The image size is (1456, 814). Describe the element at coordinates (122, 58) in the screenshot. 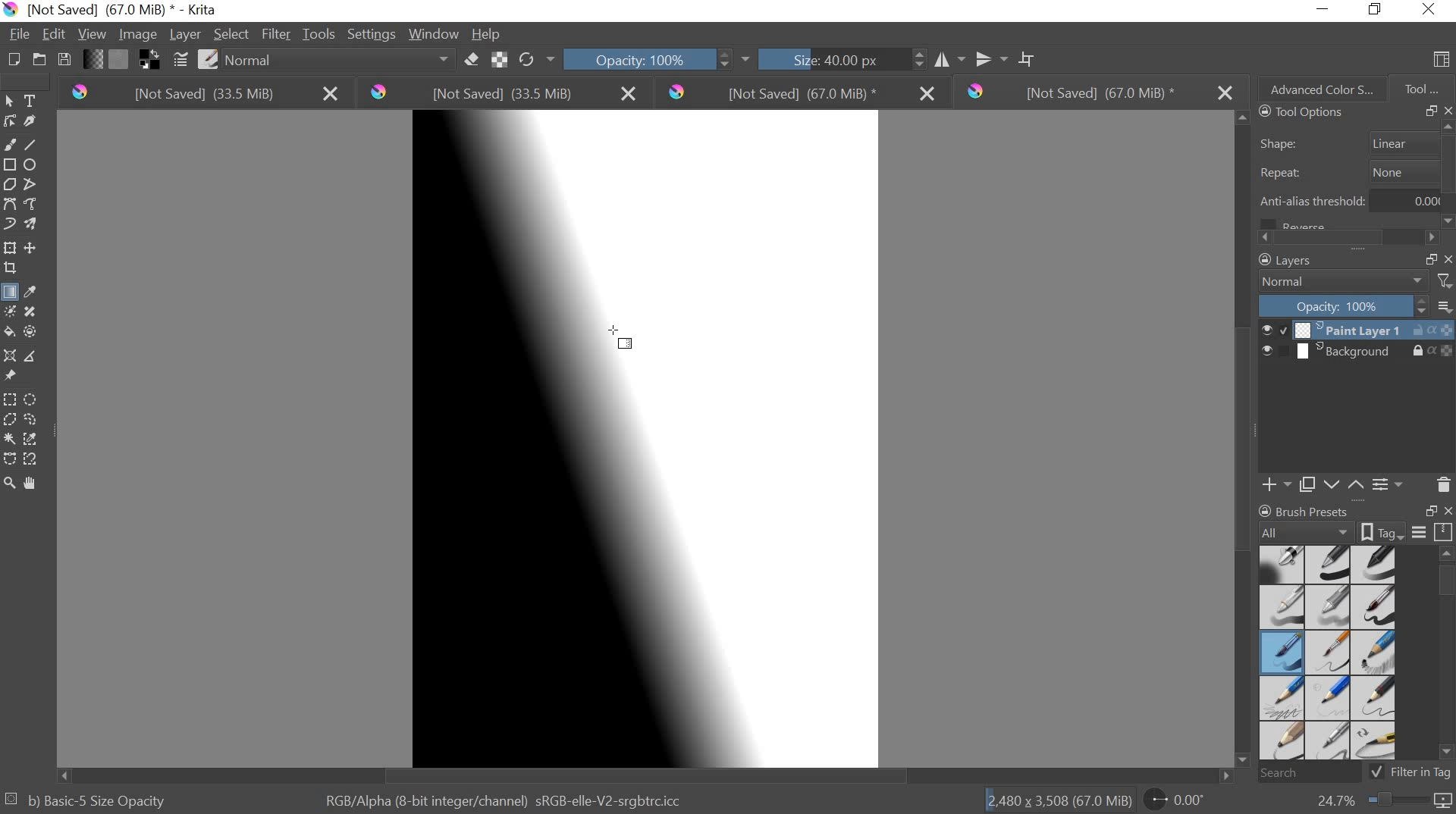

I see `FILL PATTERNS` at that location.